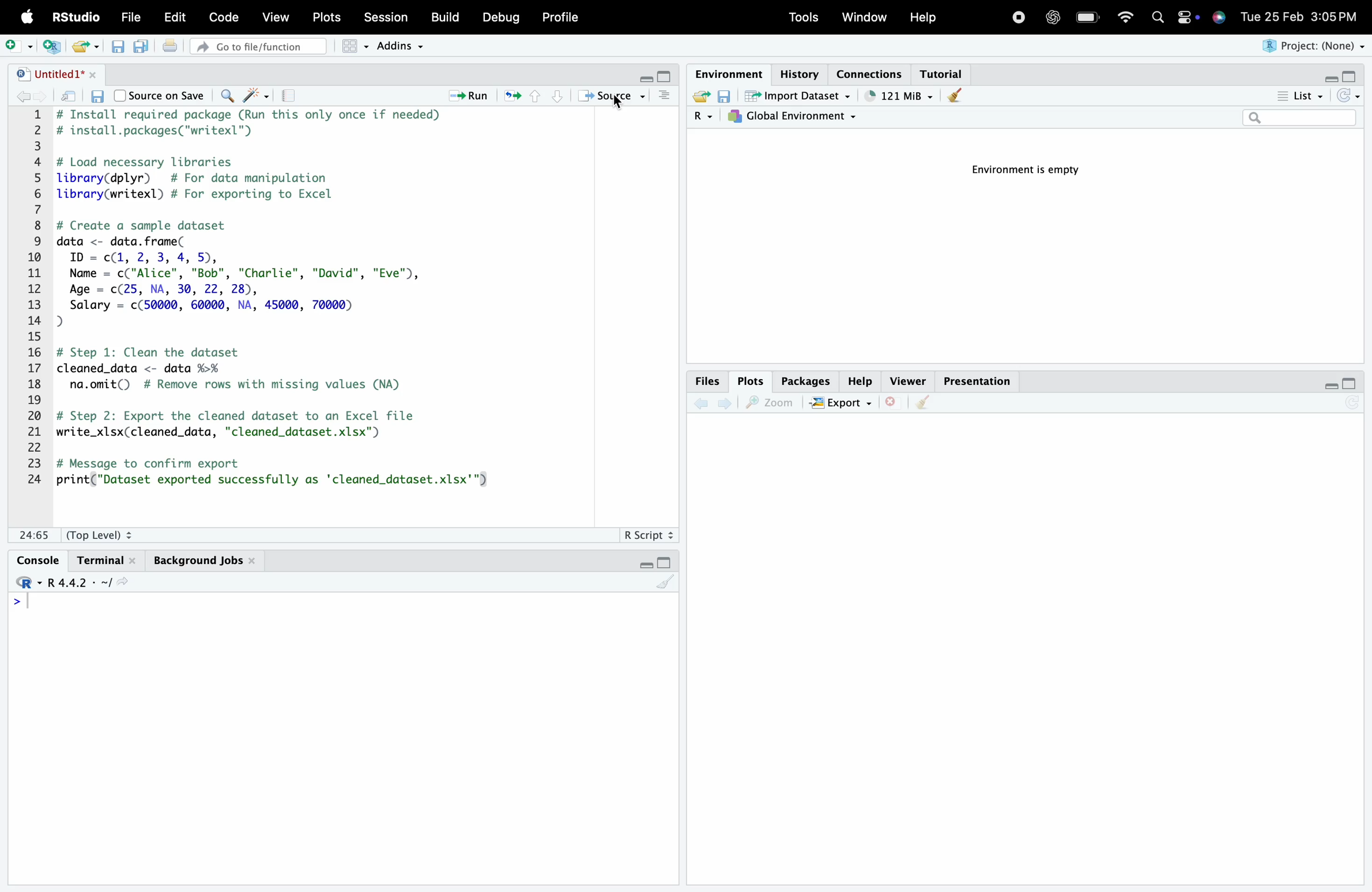  I want to click on Go to file/function, so click(259, 47).